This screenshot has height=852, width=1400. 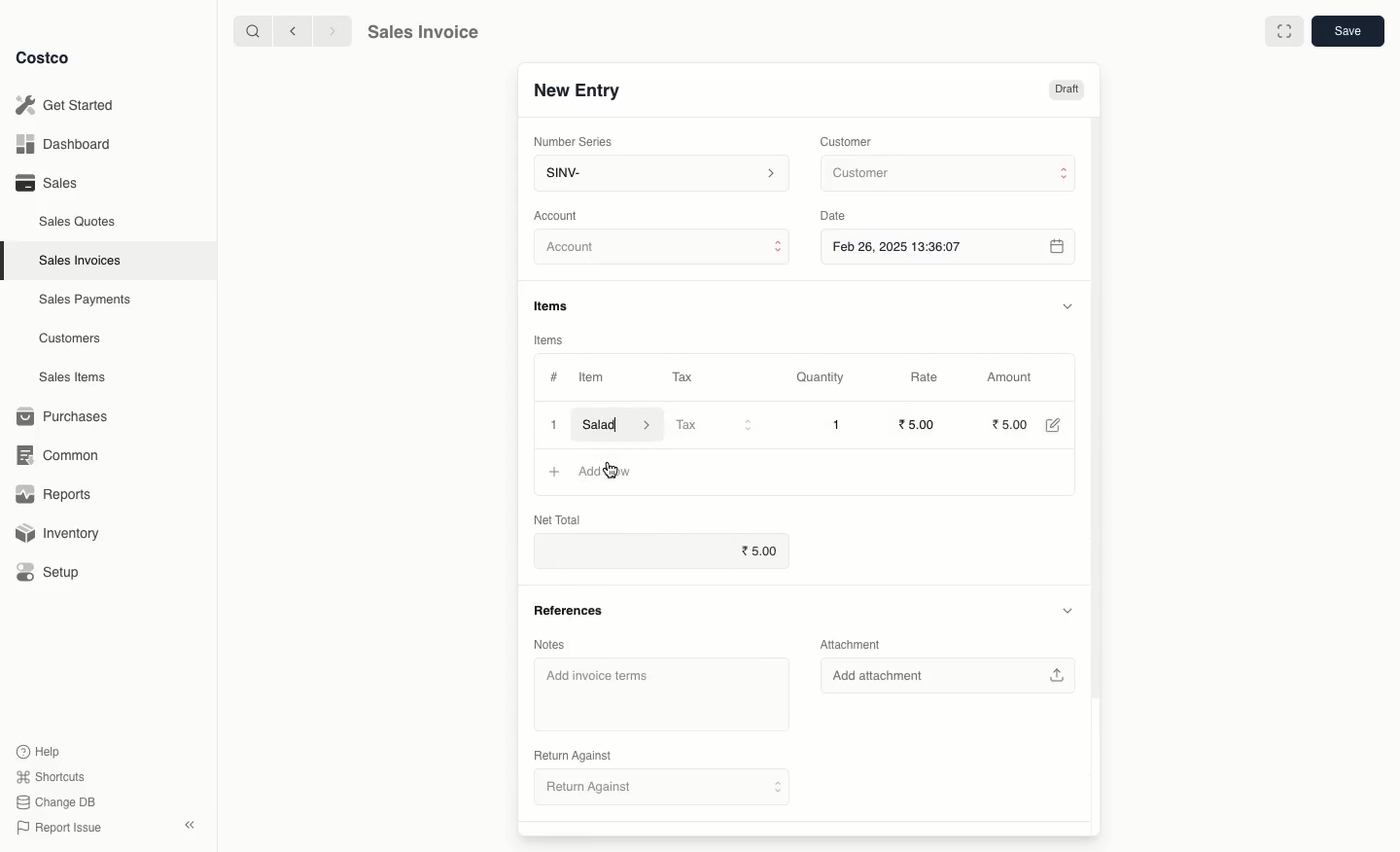 I want to click on 5.00, so click(x=920, y=423).